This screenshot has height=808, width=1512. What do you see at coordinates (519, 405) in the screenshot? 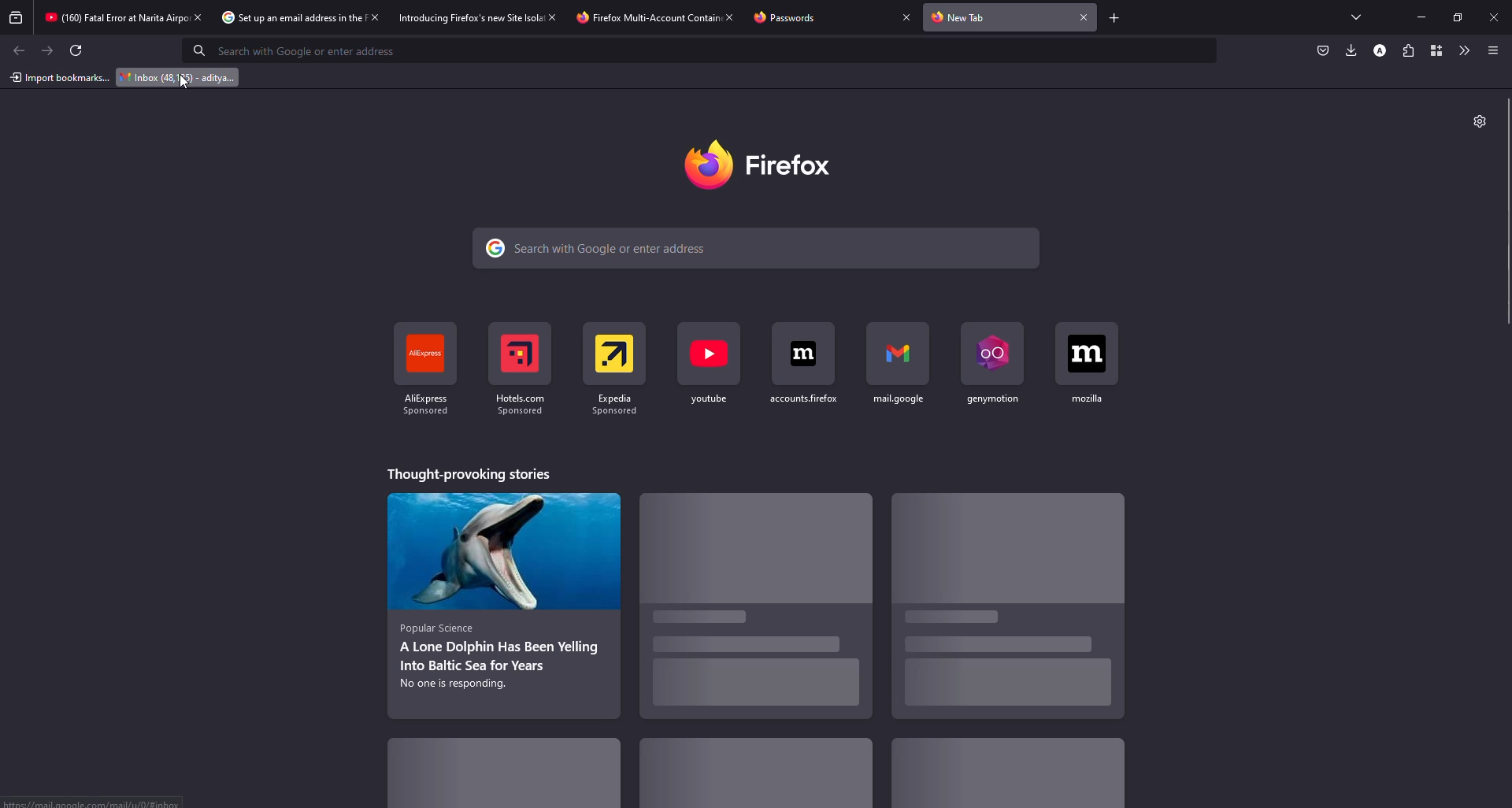
I see `Hotels.com Sponsored` at bounding box center [519, 405].